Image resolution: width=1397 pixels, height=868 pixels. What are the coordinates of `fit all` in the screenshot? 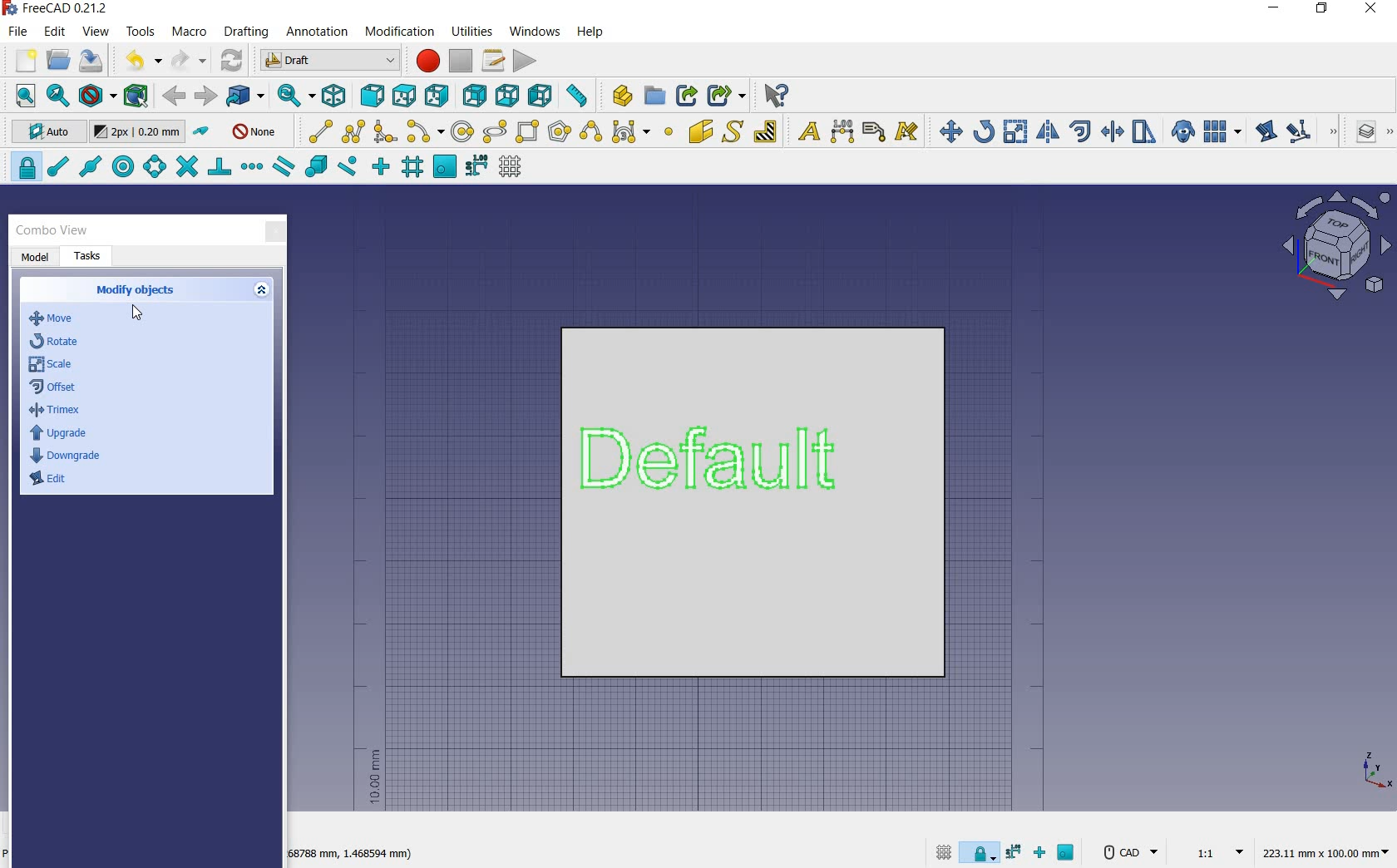 It's located at (22, 96).